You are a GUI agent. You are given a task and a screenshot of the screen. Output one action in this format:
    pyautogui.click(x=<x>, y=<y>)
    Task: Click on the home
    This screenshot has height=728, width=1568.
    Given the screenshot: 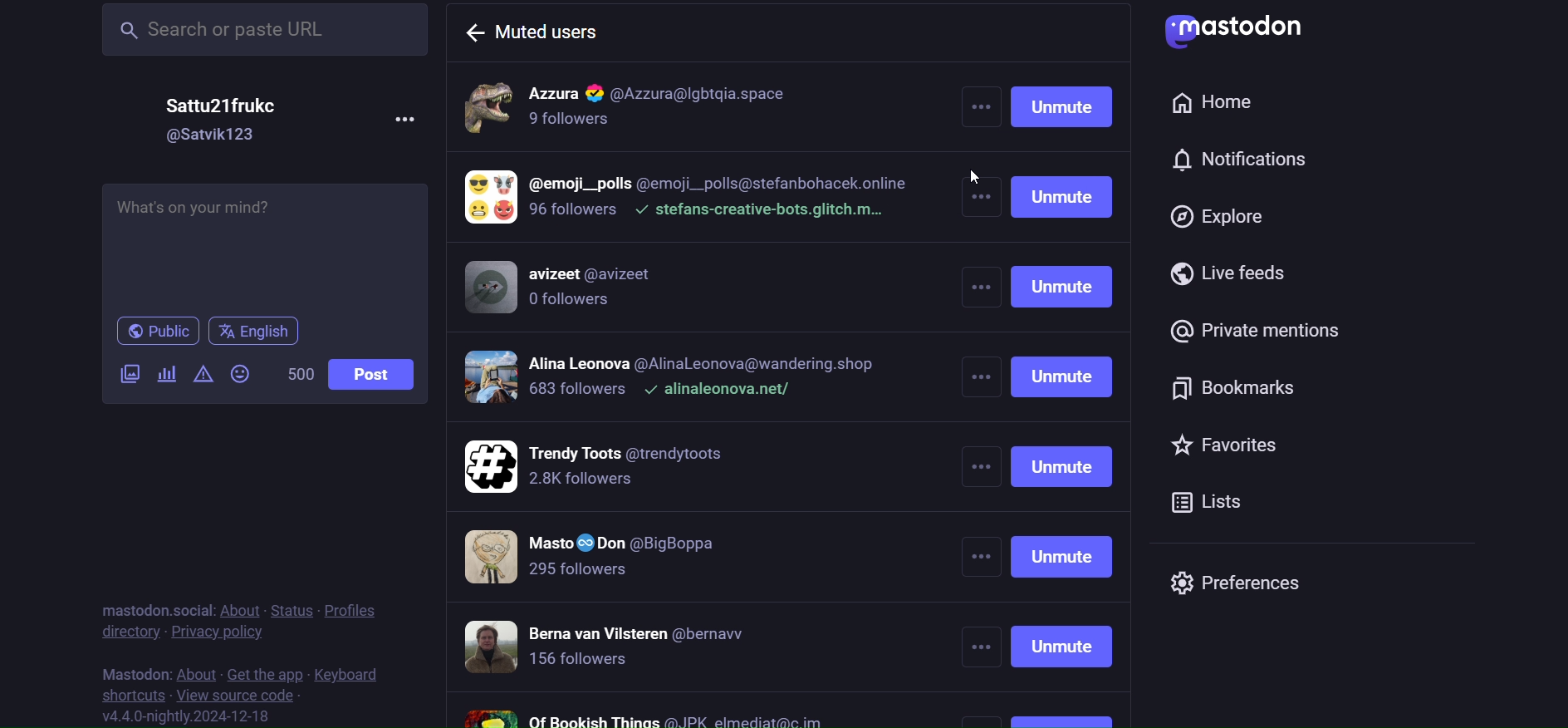 What is the action you would take?
    pyautogui.click(x=1224, y=102)
    